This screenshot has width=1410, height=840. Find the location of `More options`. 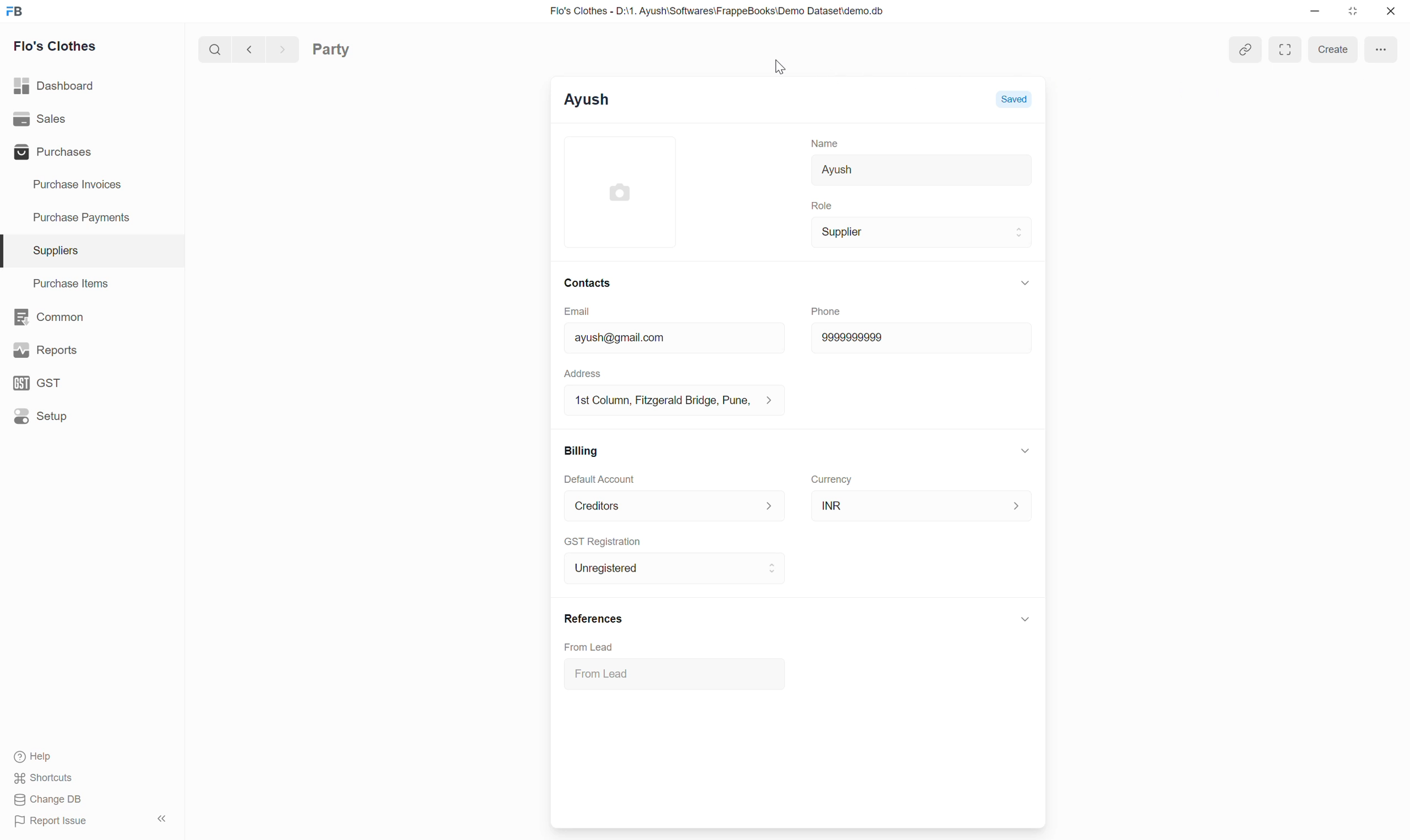

More options is located at coordinates (1382, 49).